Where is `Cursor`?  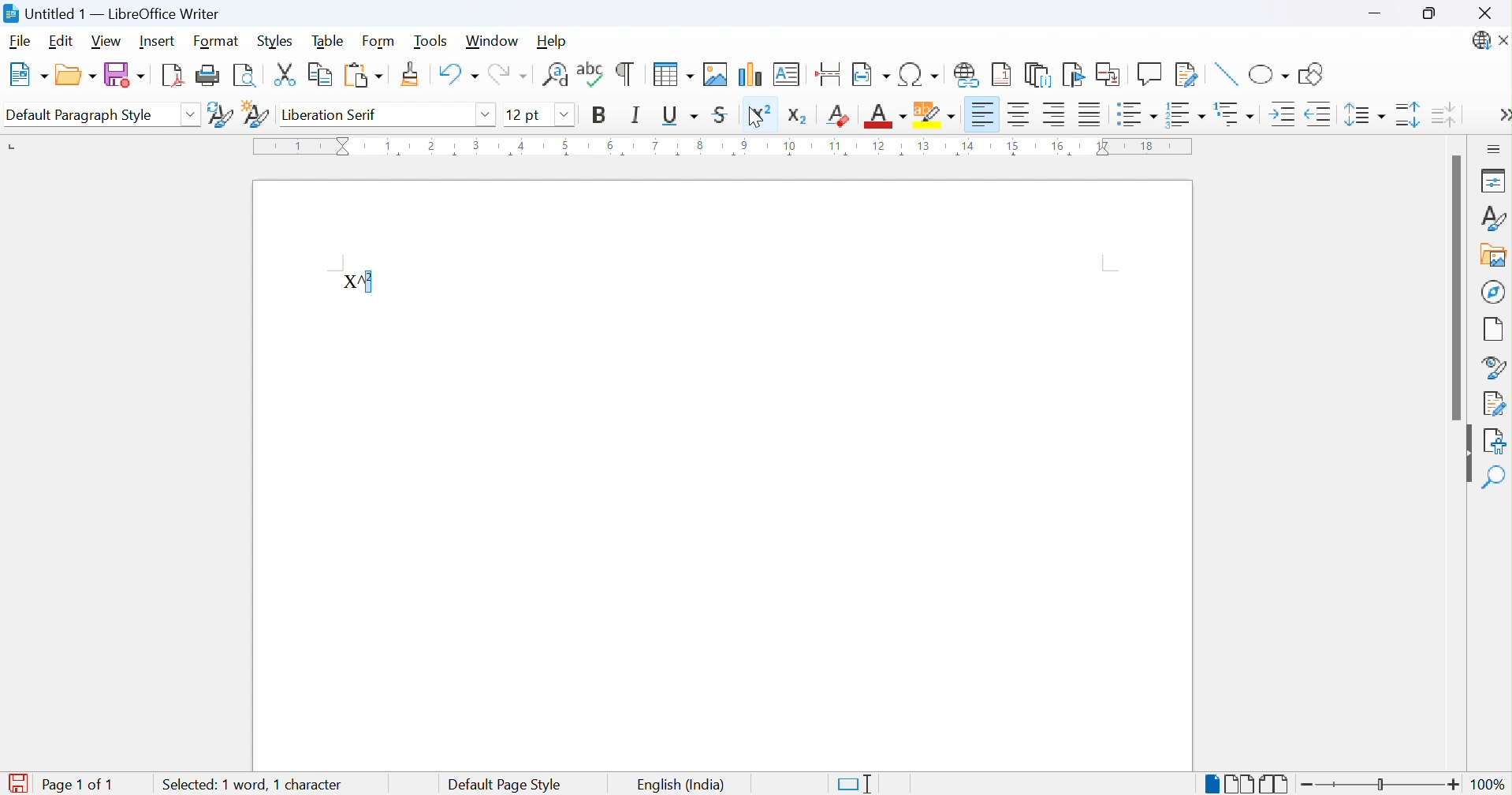 Cursor is located at coordinates (754, 115).